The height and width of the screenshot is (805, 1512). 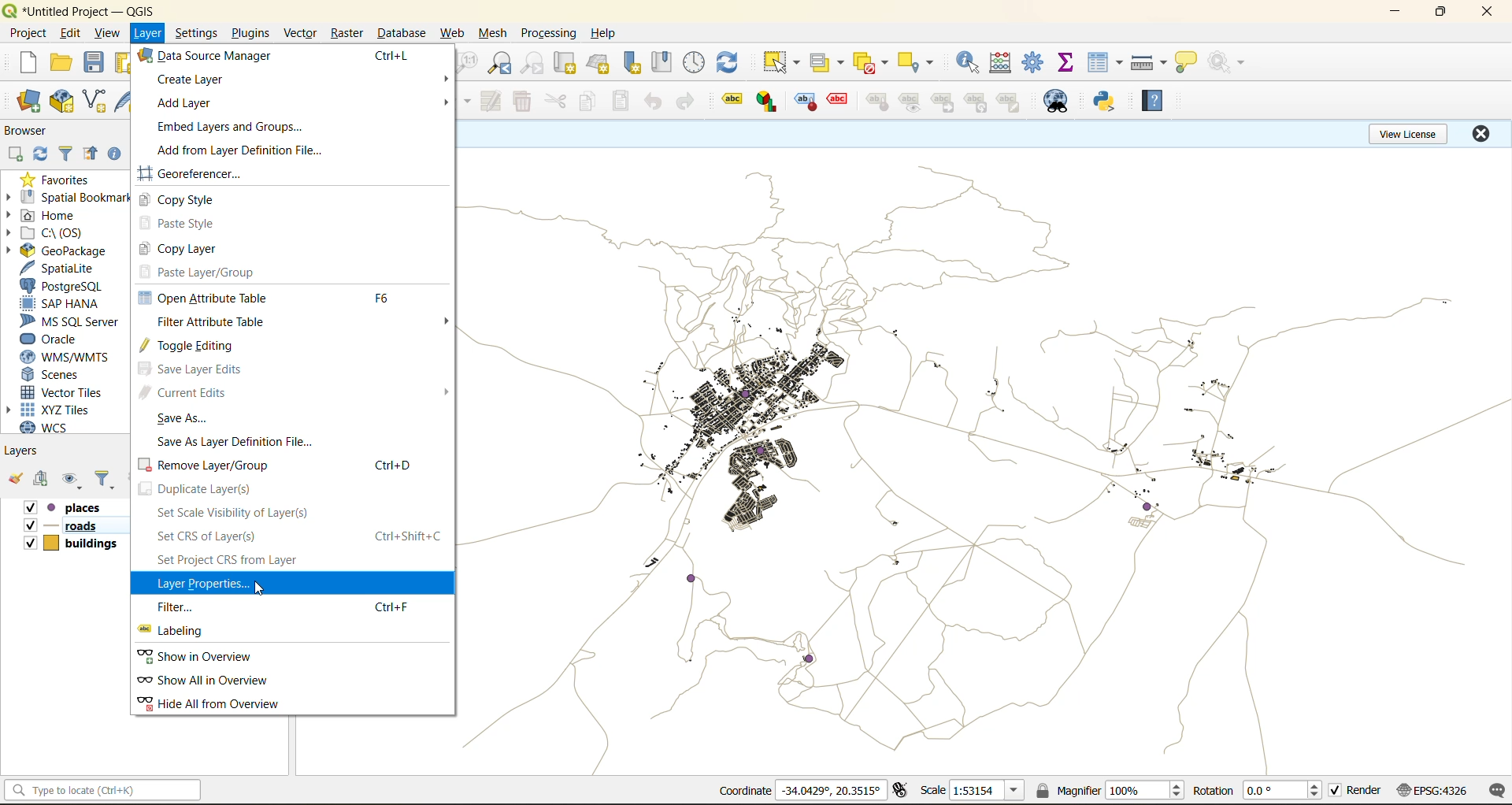 What do you see at coordinates (1002, 65) in the screenshot?
I see `open calculator` at bounding box center [1002, 65].